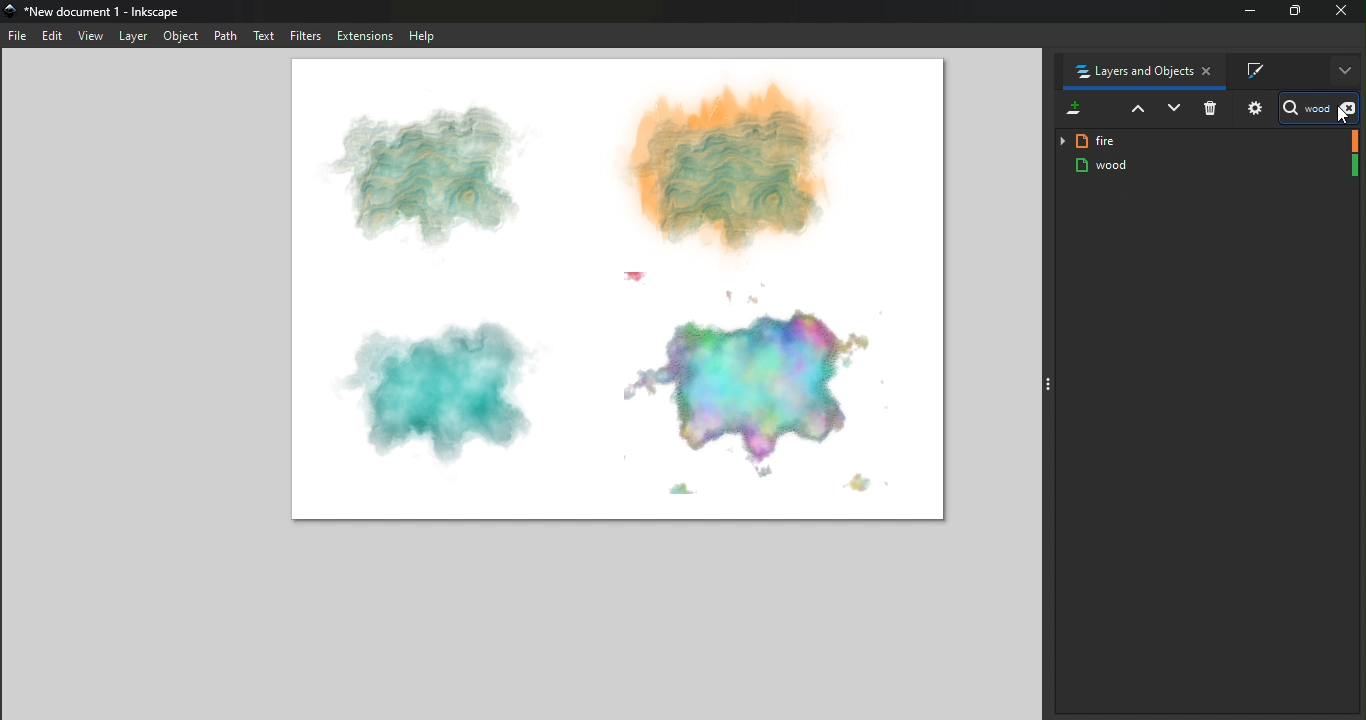 The width and height of the screenshot is (1366, 720). Describe the element at coordinates (1294, 10) in the screenshot. I see `Maximize` at that location.